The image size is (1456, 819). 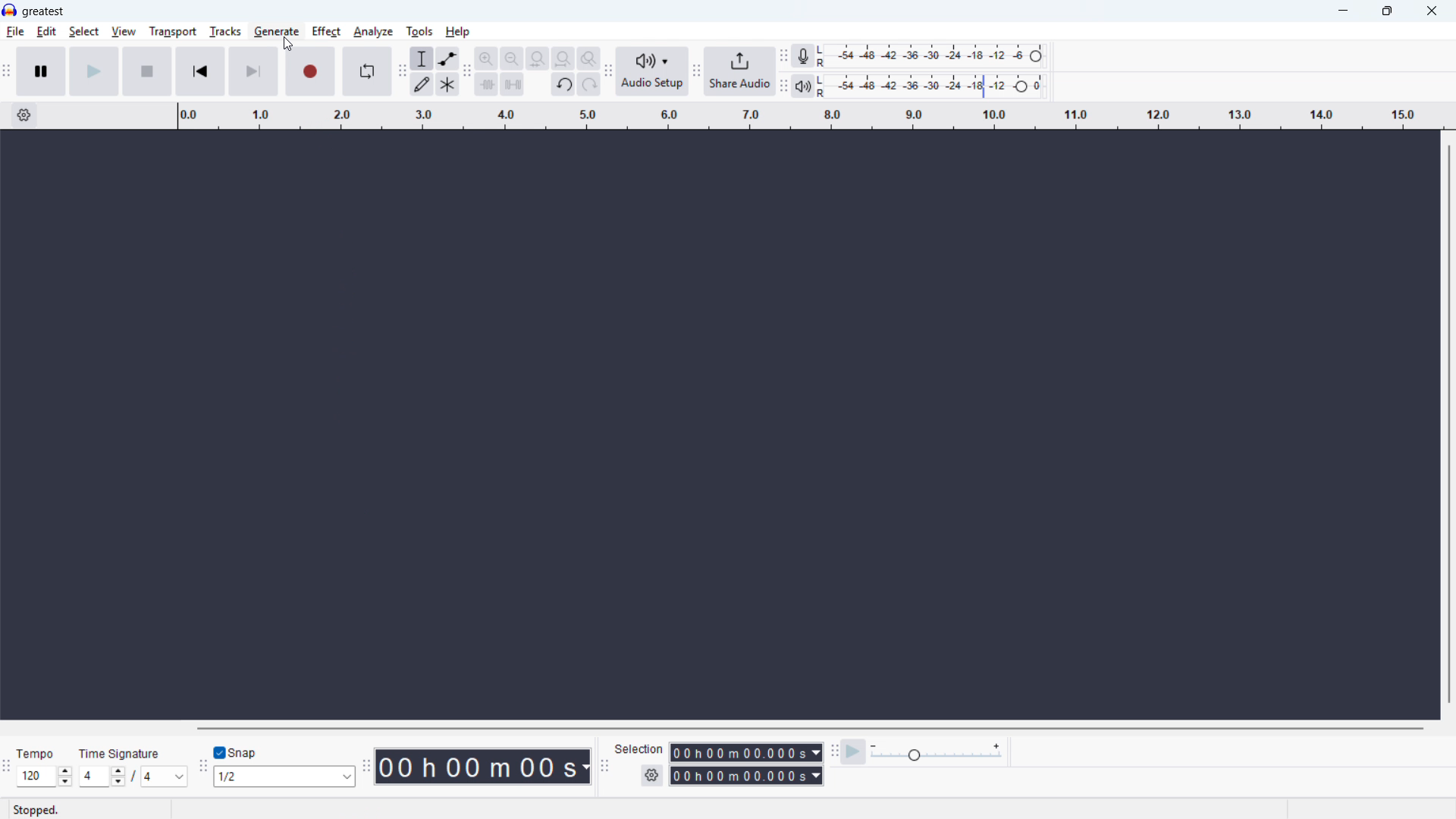 I want to click on Cursor, so click(x=287, y=45).